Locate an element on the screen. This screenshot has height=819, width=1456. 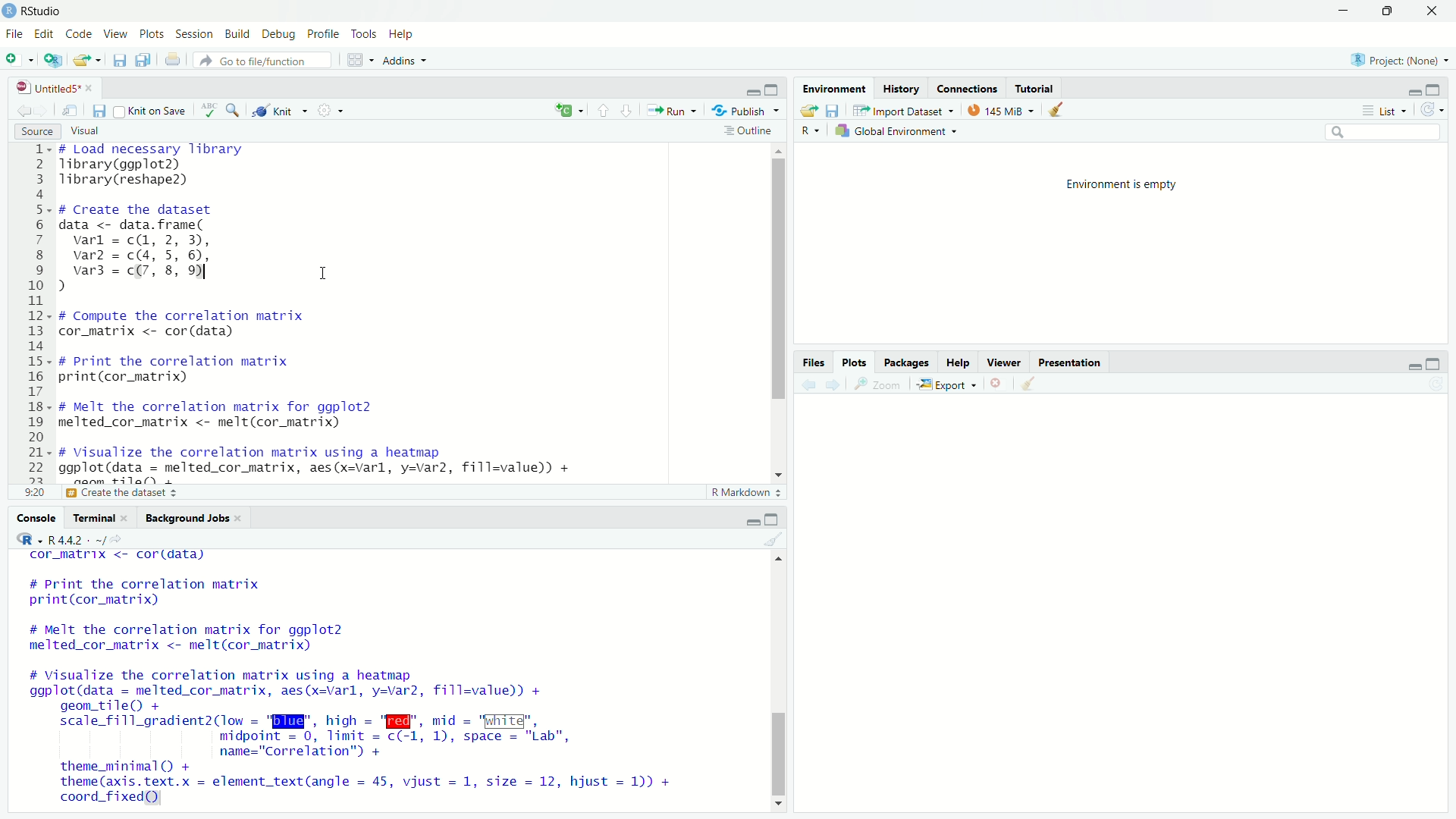
search is located at coordinates (1384, 132).